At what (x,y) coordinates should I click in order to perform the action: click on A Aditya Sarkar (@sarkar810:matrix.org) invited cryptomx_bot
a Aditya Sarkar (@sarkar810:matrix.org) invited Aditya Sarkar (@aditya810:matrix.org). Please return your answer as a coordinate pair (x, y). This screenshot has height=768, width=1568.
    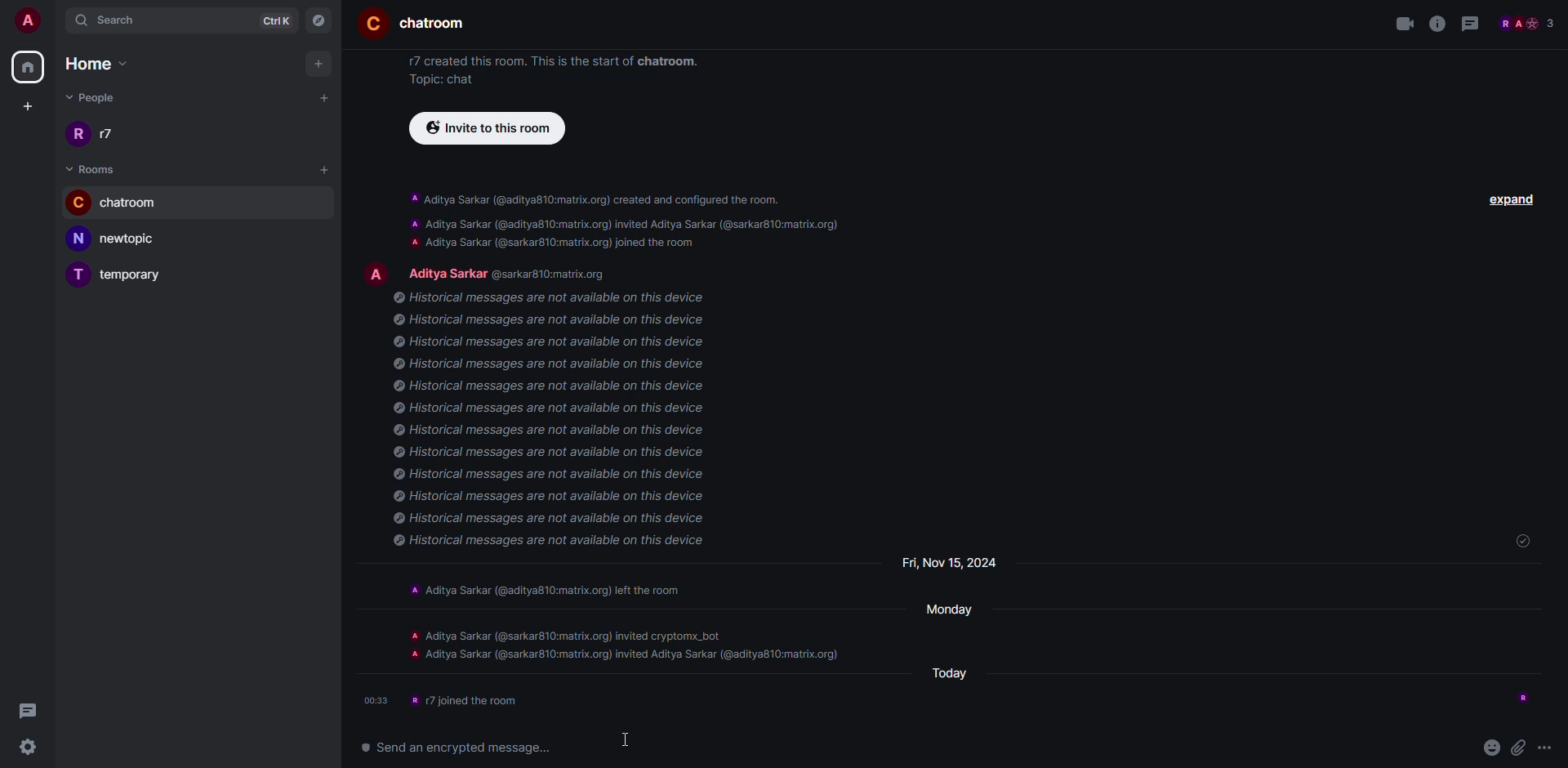
    Looking at the image, I should click on (620, 645).